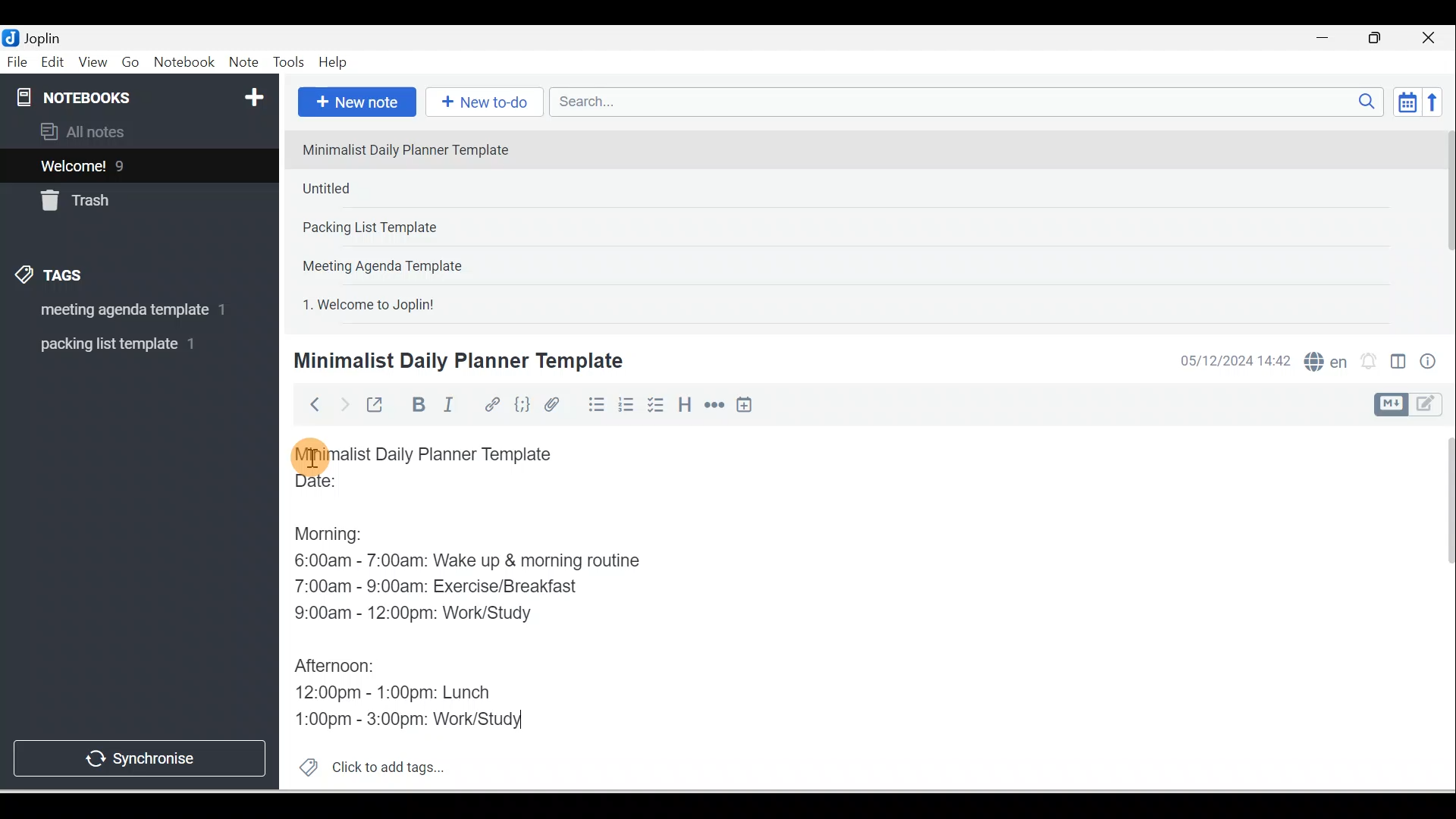 This screenshot has width=1456, height=819. Describe the element at coordinates (456, 361) in the screenshot. I see `Minimalist Daily Planner Template` at that location.